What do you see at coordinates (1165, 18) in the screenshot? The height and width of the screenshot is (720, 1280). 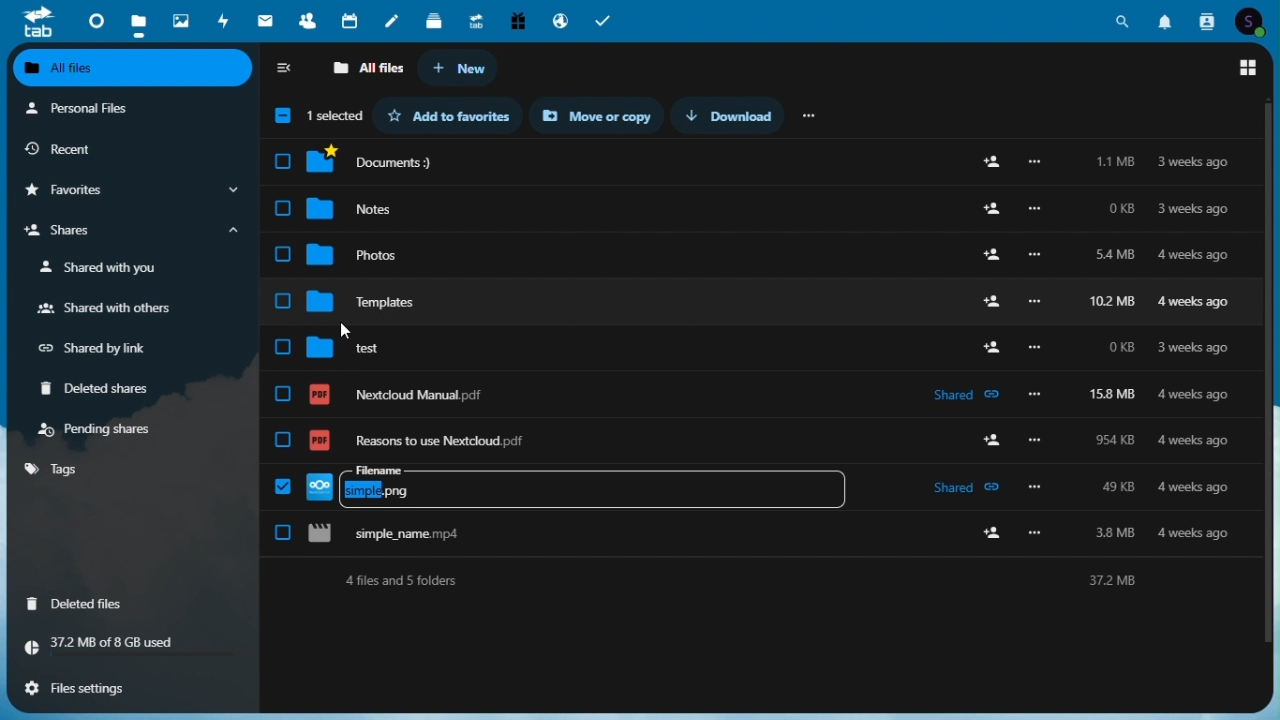 I see `Notifications` at bounding box center [1165, 18].